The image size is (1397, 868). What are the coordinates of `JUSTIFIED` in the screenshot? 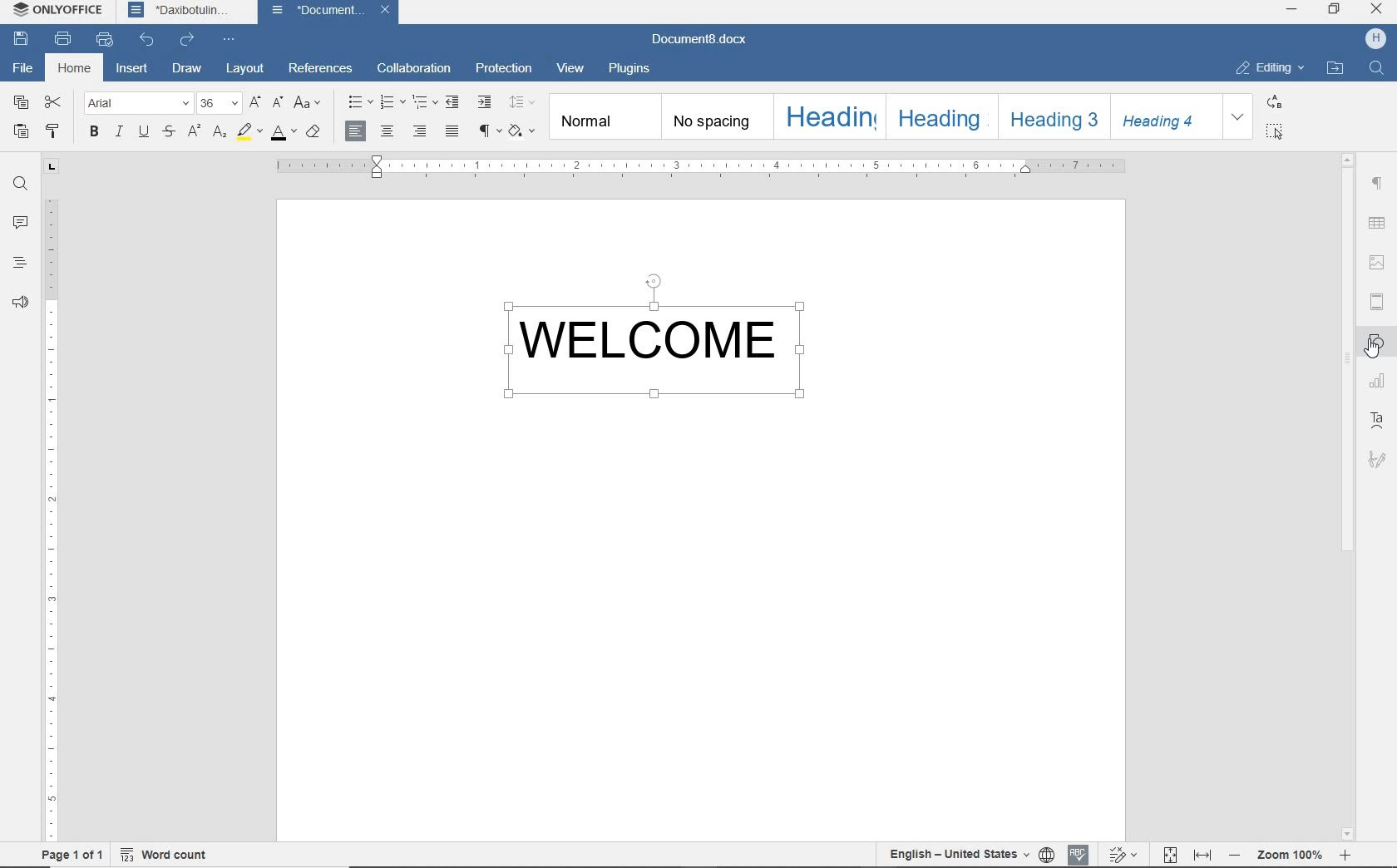 It's located at (452, 132).